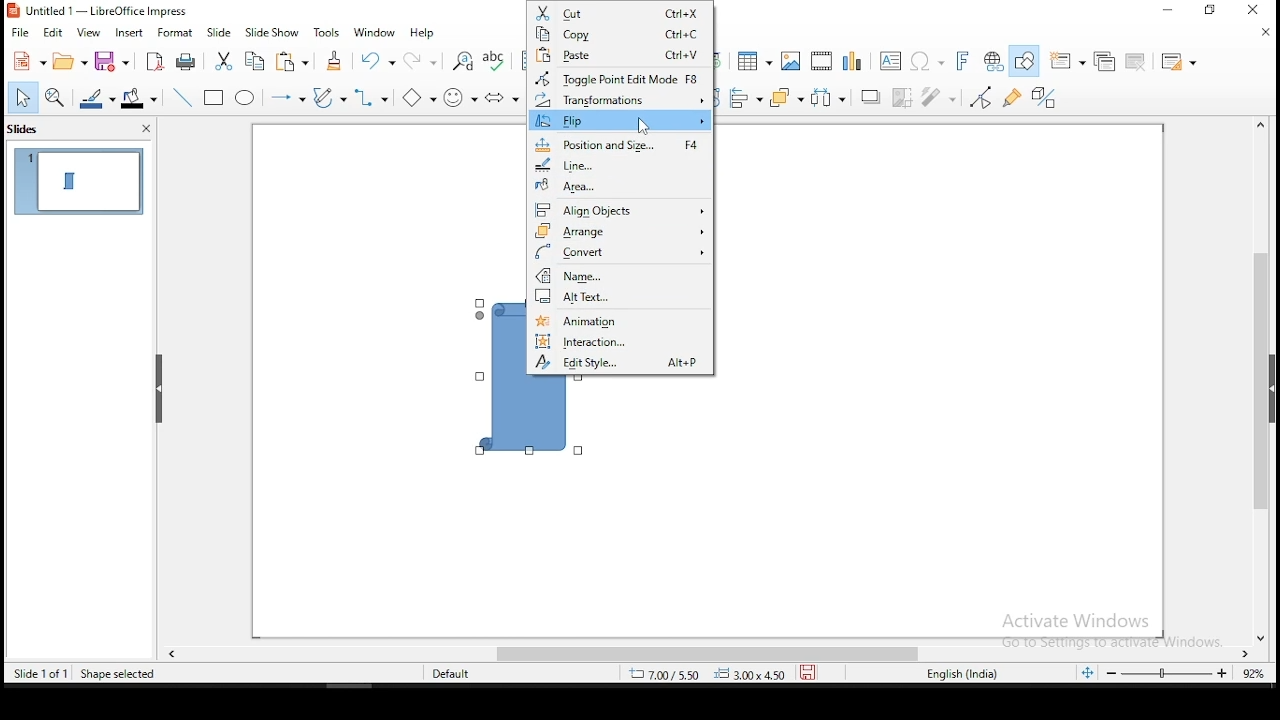  Describe the element at coordinates (328, 34) in the screenshot. I see `tools` at that location.